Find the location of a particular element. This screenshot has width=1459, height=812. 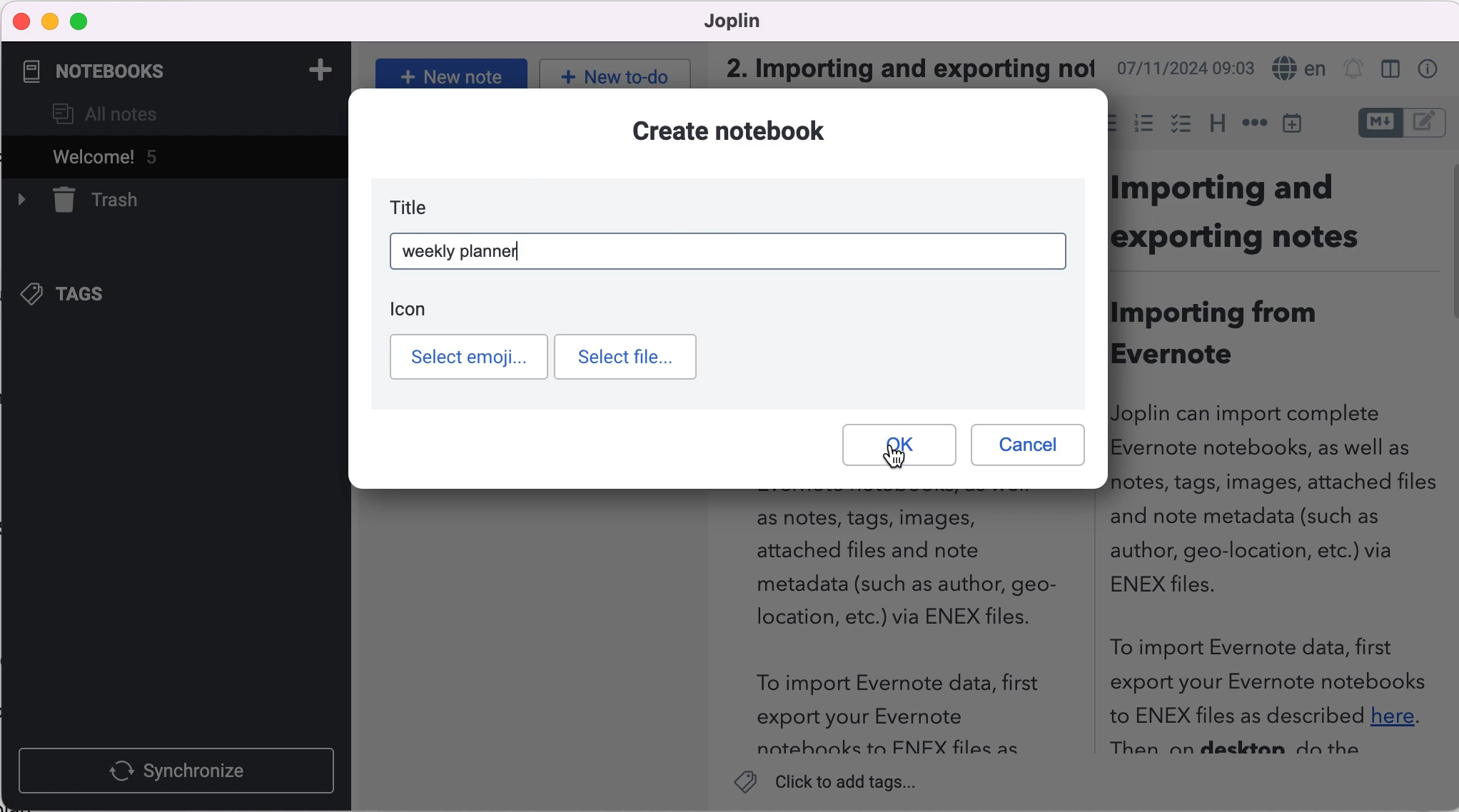

notebooks is located at coordinates (106, 71).